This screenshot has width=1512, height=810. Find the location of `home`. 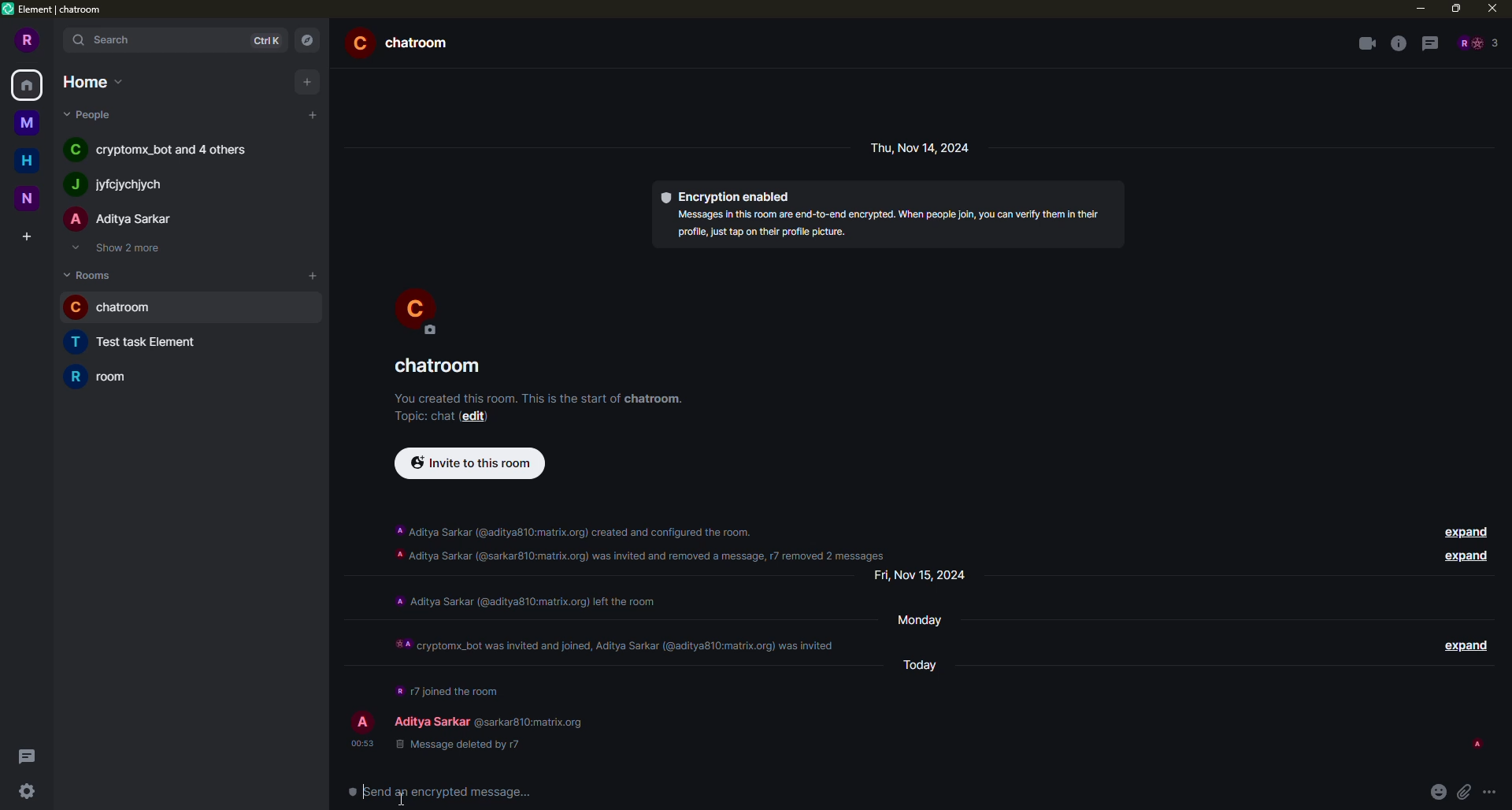

home is located at coordinates (28, 84).